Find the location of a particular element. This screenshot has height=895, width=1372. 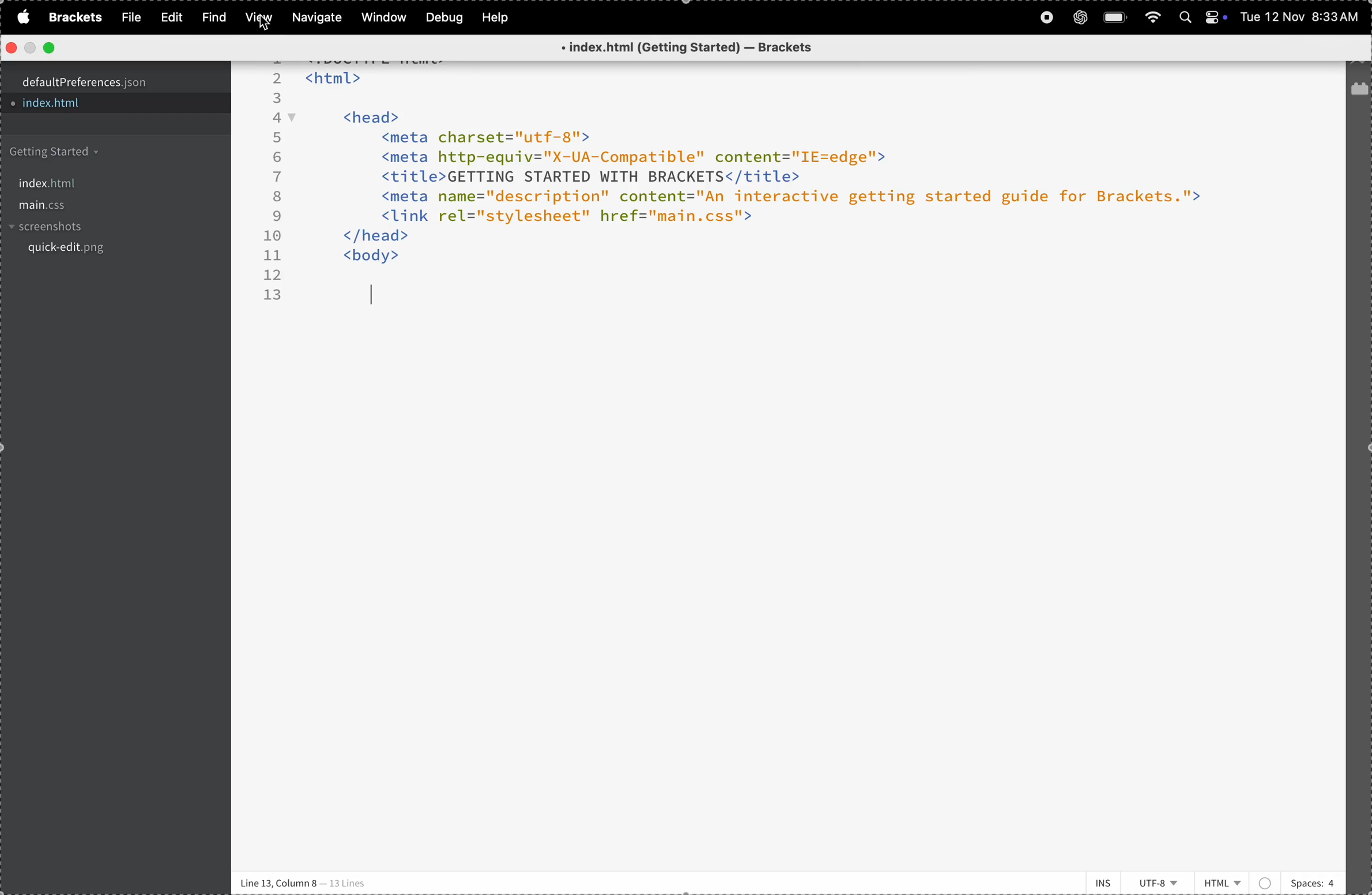

closing window is located at coordinates (12, 48).